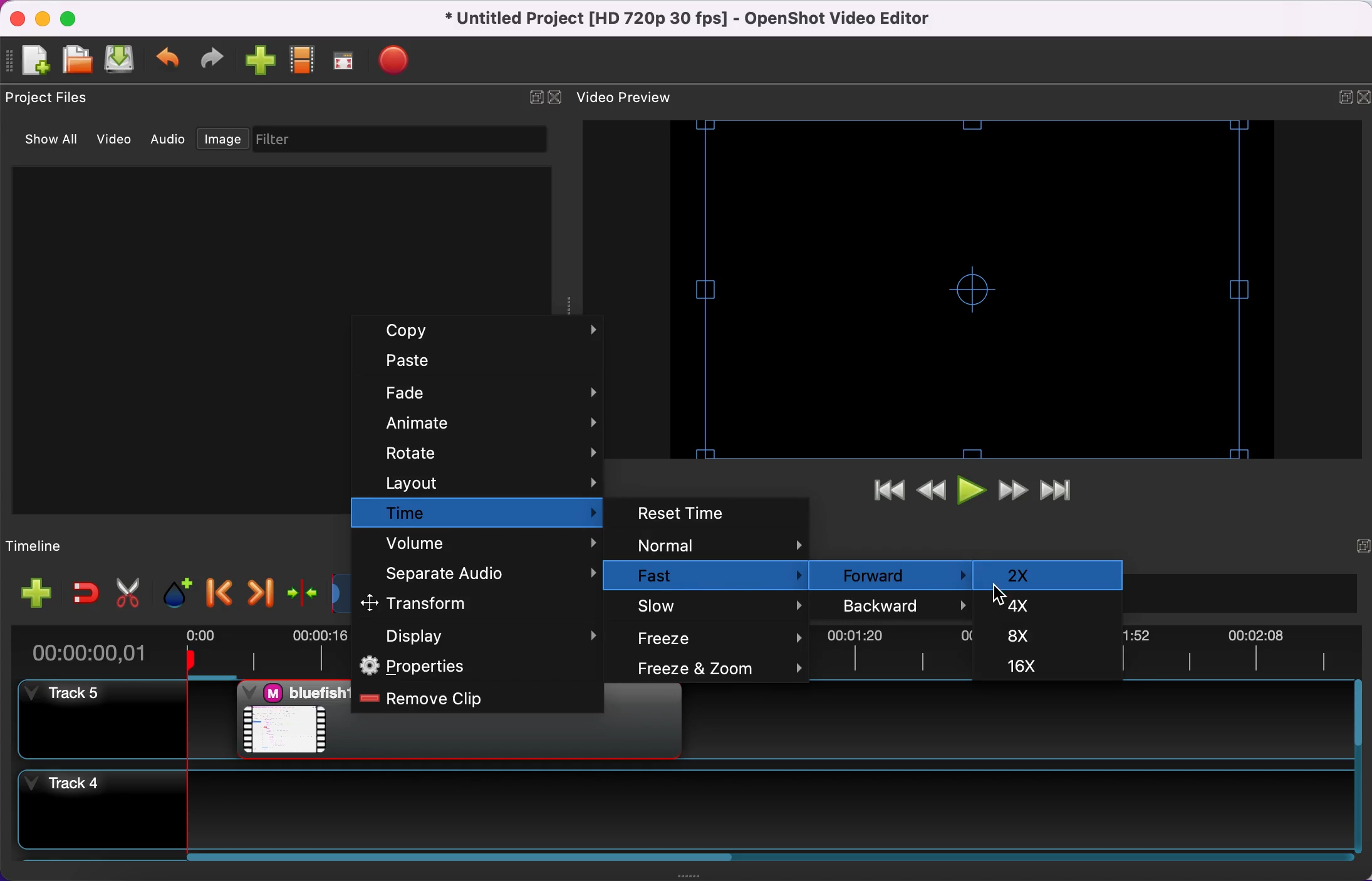 Image resolution: width=1372 pixels, height=881 pixels. Describe the element at coordinates (970, 492) in the screenshot. I see `play` at that location.